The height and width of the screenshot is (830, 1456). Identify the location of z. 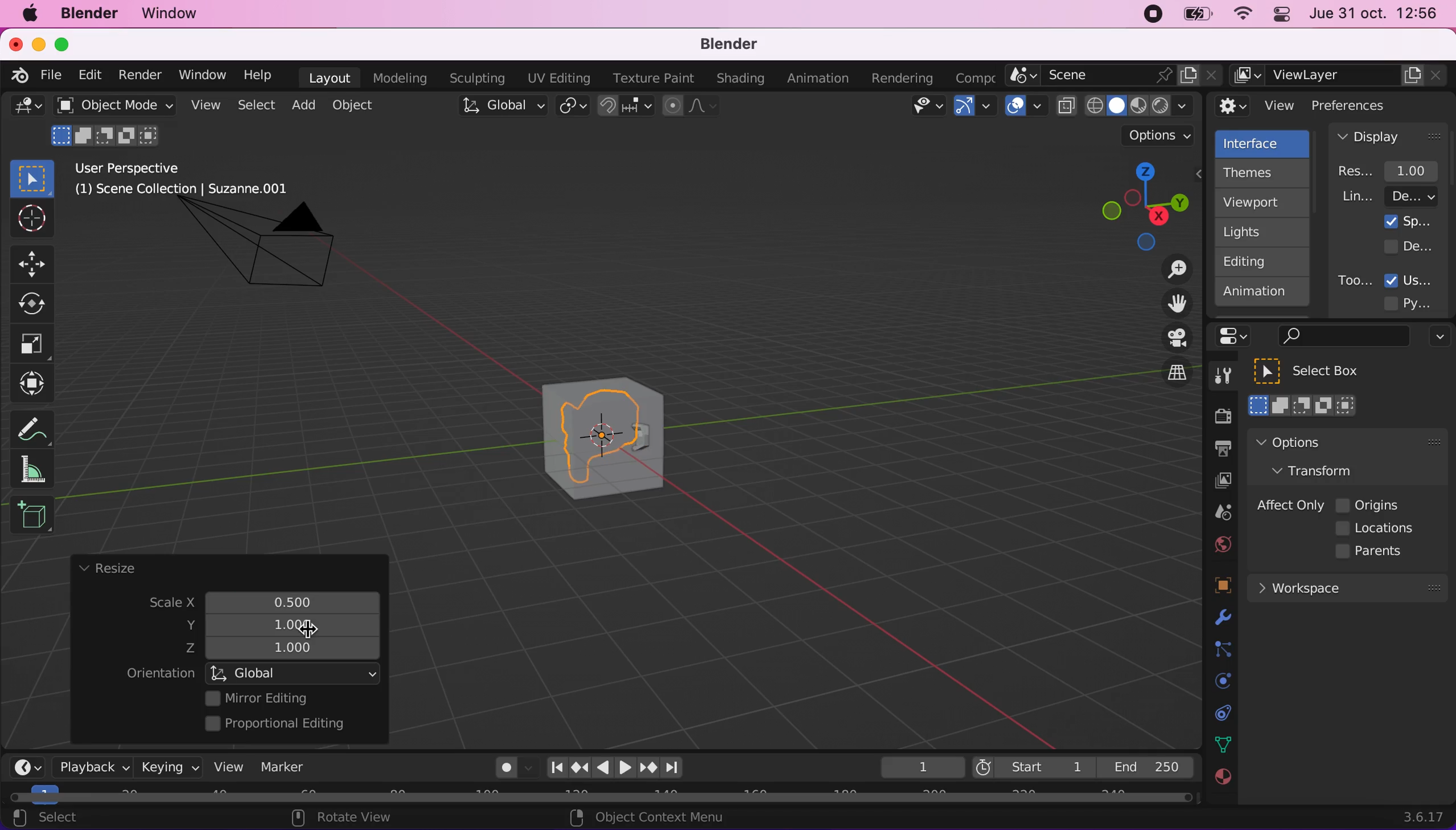
(287, 649).